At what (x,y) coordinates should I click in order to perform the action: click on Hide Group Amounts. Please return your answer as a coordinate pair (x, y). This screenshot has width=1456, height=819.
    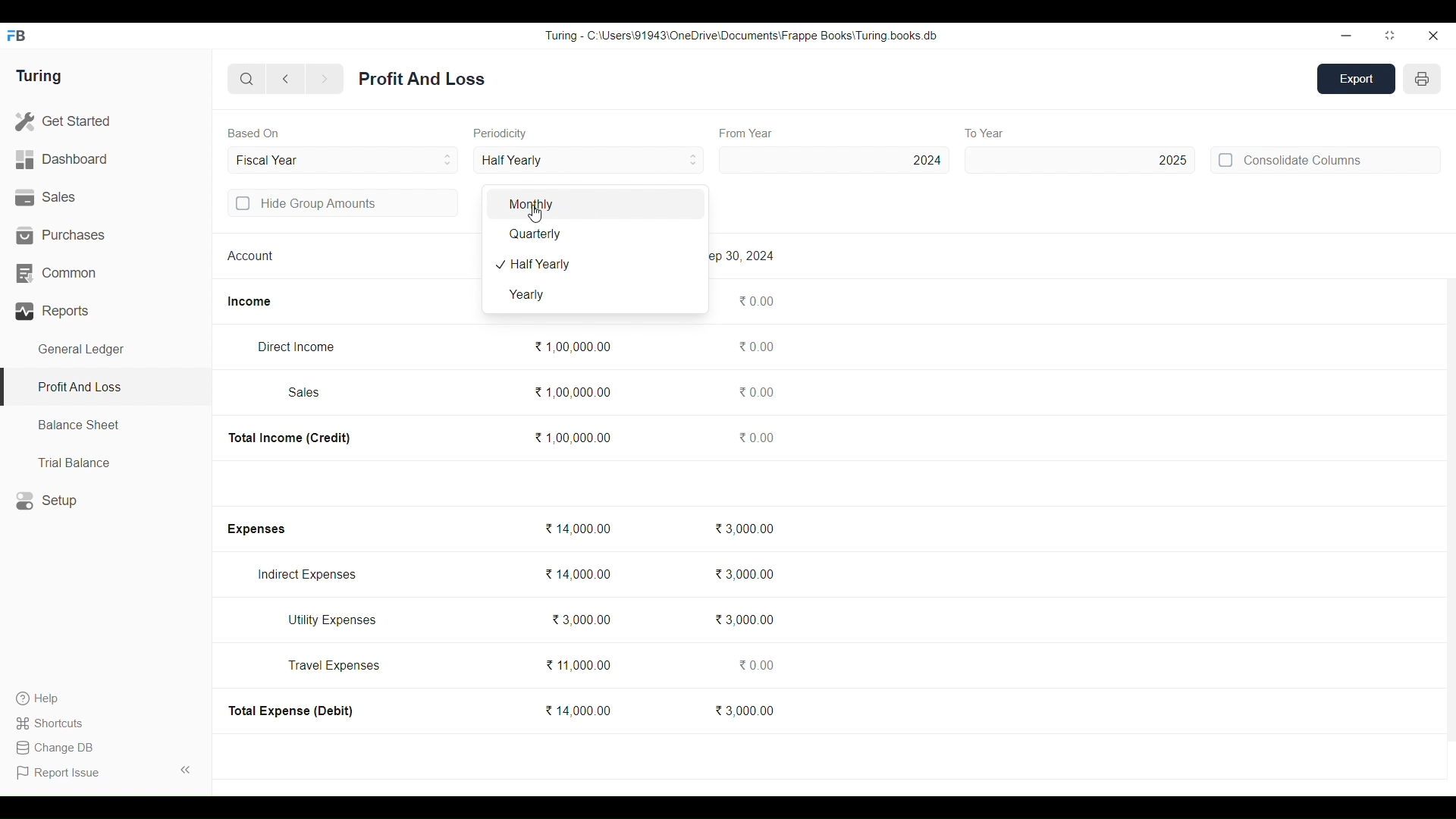
    Looking at the image, I should click on (344, 202).